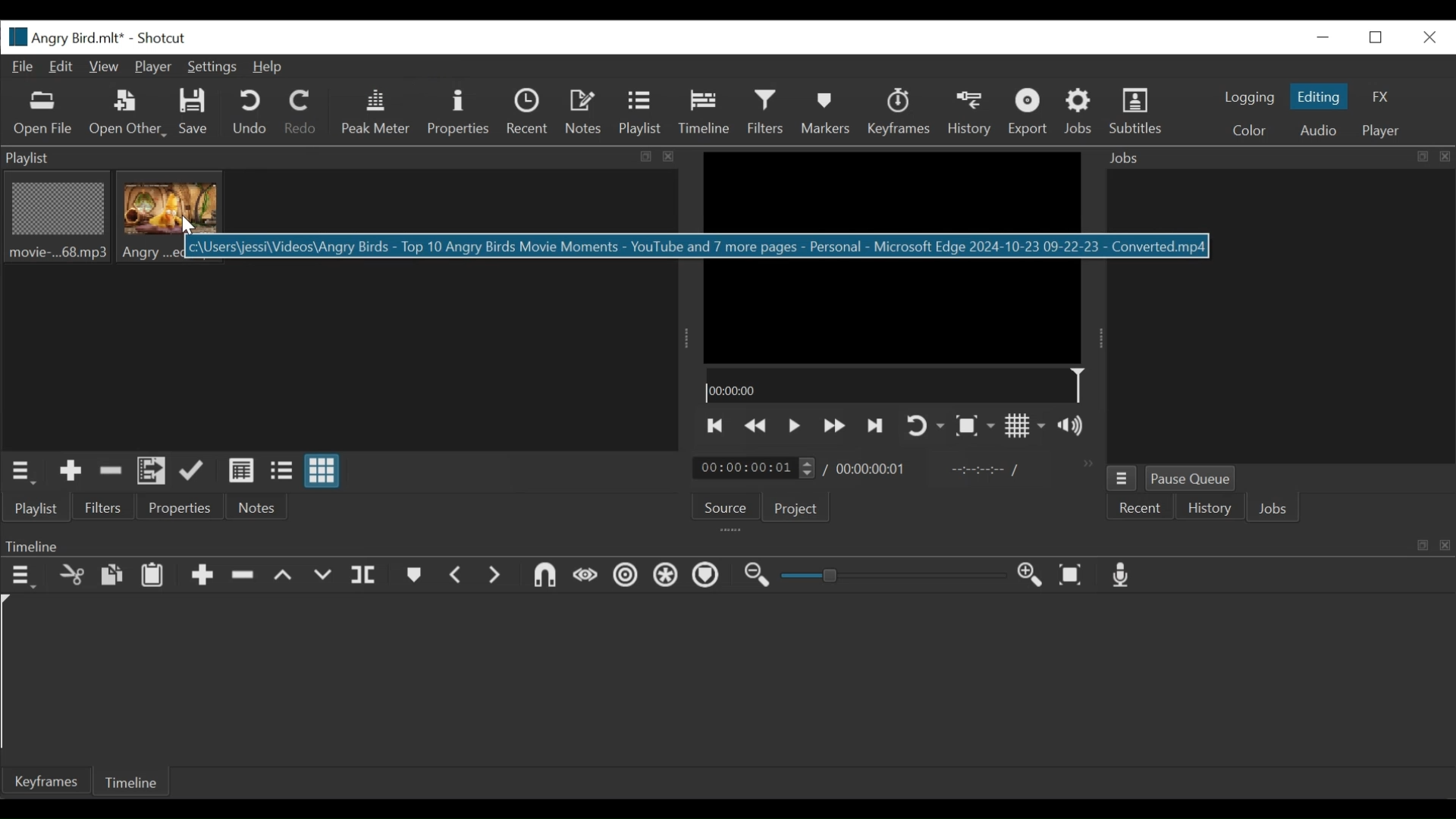 The width and height of the screenshot is (1456, 819). I want to click on Cursor, so click(188, 227).